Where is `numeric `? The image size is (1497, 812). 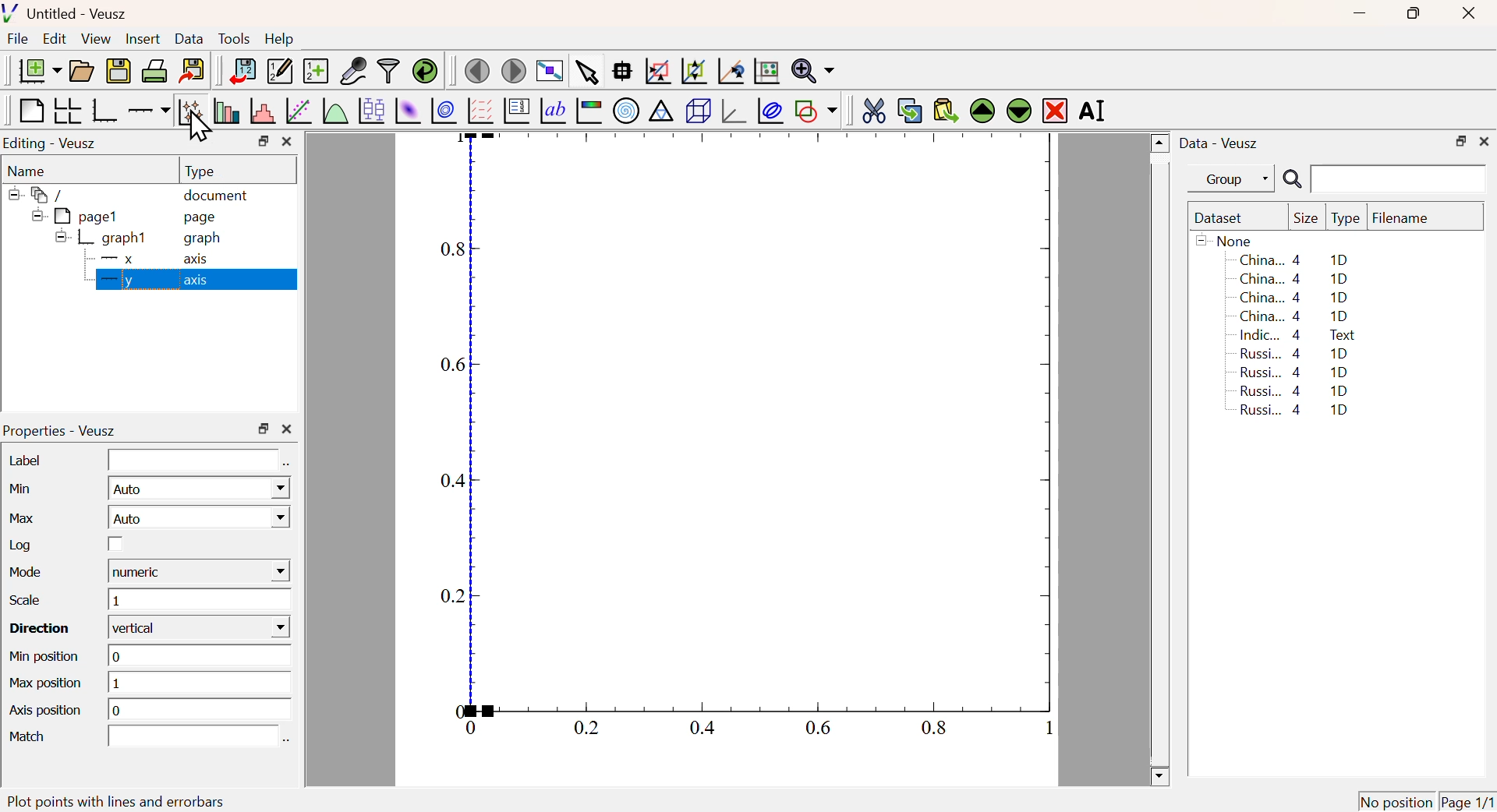 numeric  is located at coordinates (199, 571).